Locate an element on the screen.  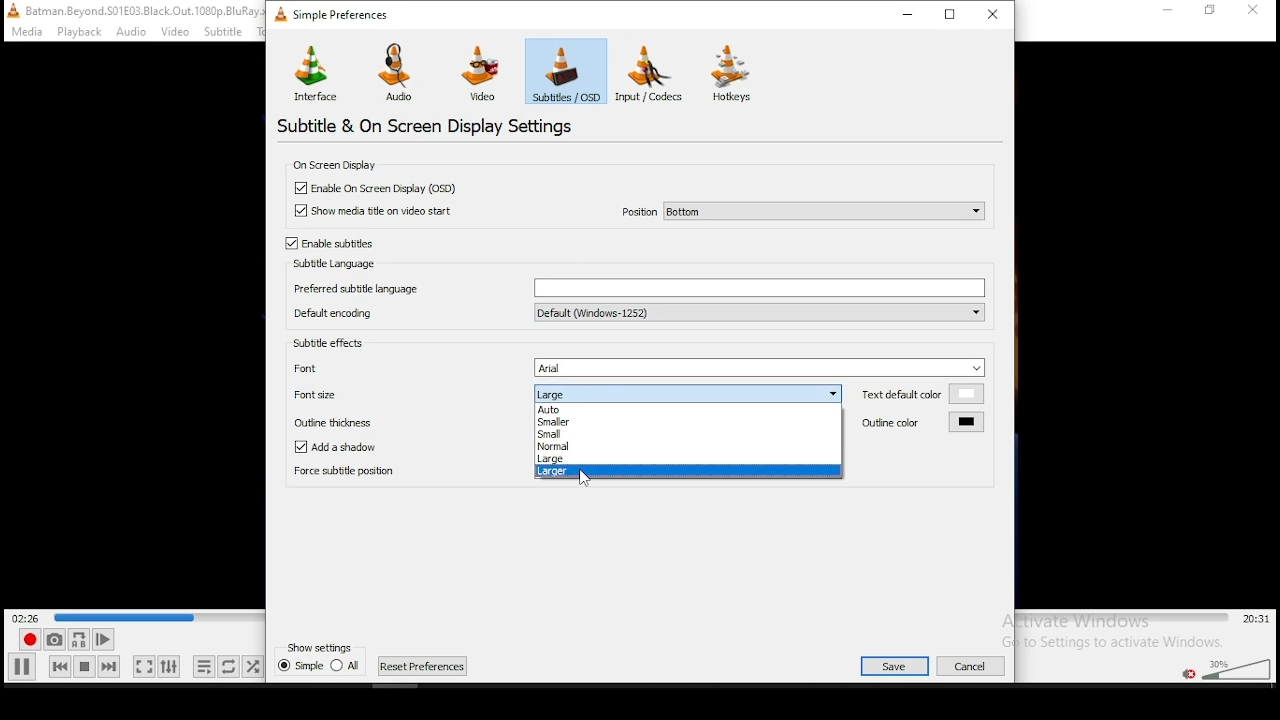
stop is located at coordinates (84, 666).